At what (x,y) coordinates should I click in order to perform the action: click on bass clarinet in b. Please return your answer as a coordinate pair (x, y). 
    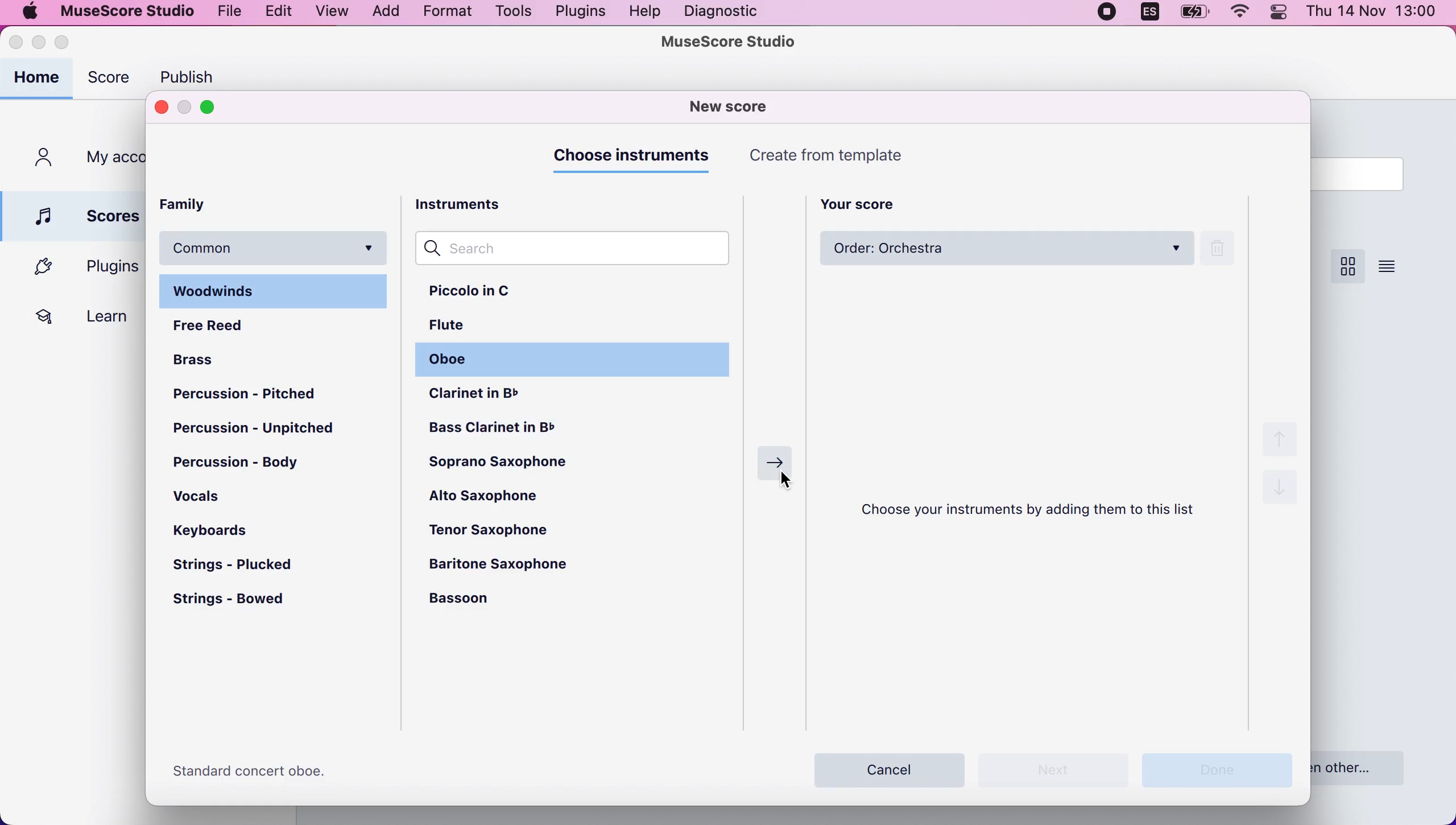
    Looking at the image, I should click on (576, 429).